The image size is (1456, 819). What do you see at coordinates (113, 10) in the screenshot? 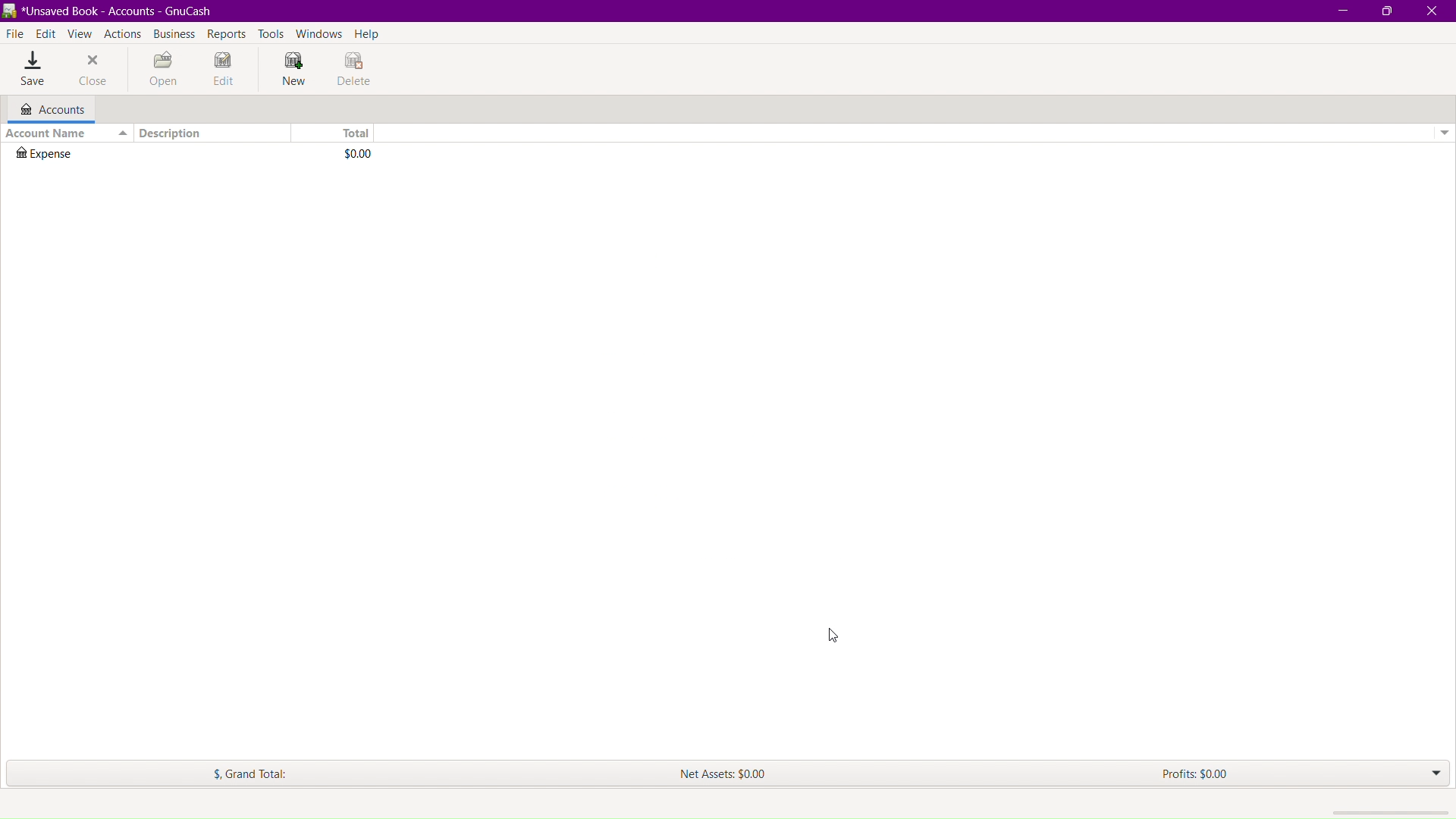
I see `BR *Unsaved Book - Accounts - GnuCash` at bounding box center [113, 10].